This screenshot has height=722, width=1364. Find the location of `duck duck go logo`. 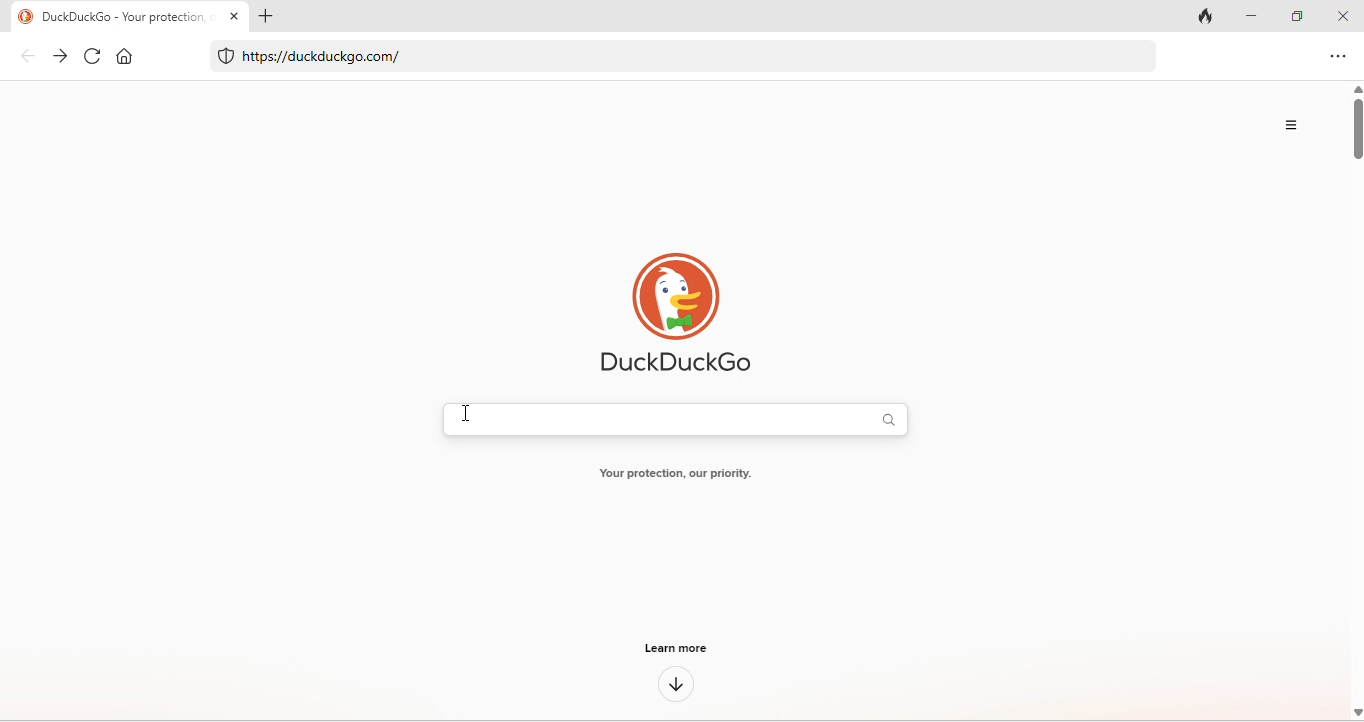

duck duck go logo is located at coordinates (679, 311).